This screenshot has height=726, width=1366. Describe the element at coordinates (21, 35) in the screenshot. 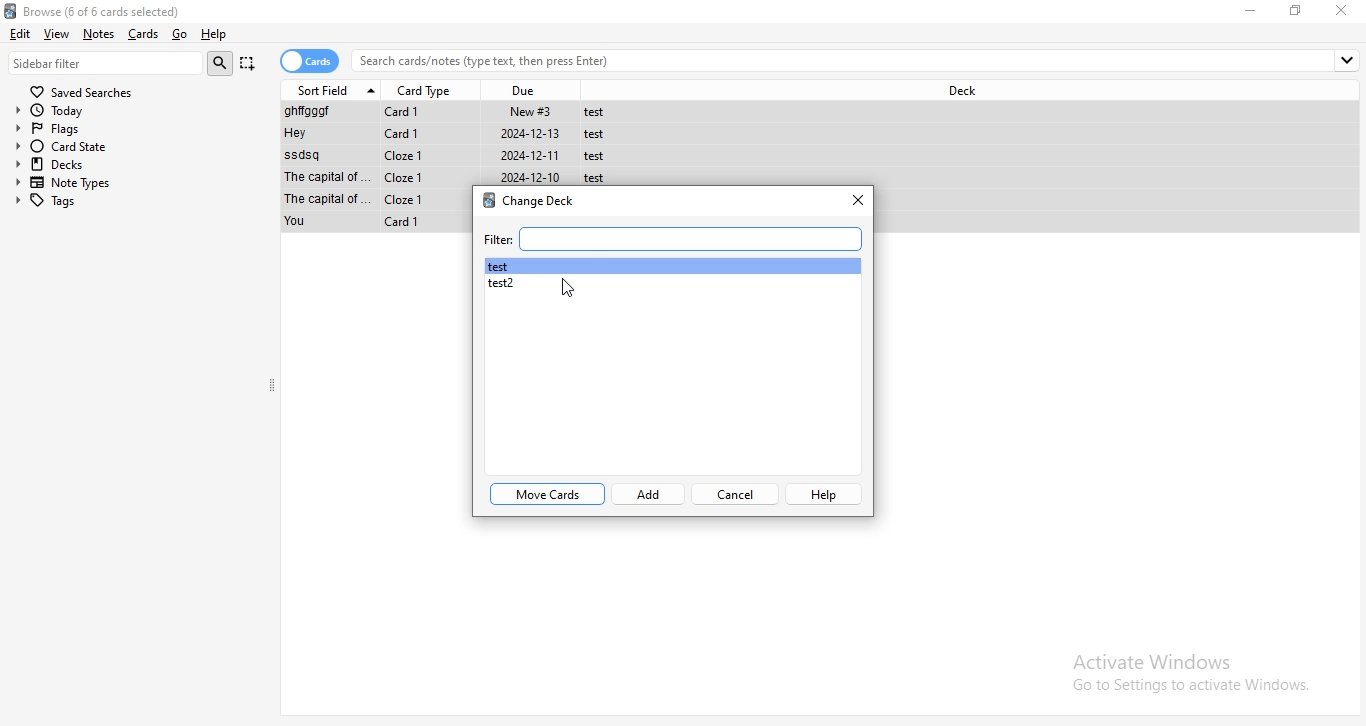

I see `edit` at that location.